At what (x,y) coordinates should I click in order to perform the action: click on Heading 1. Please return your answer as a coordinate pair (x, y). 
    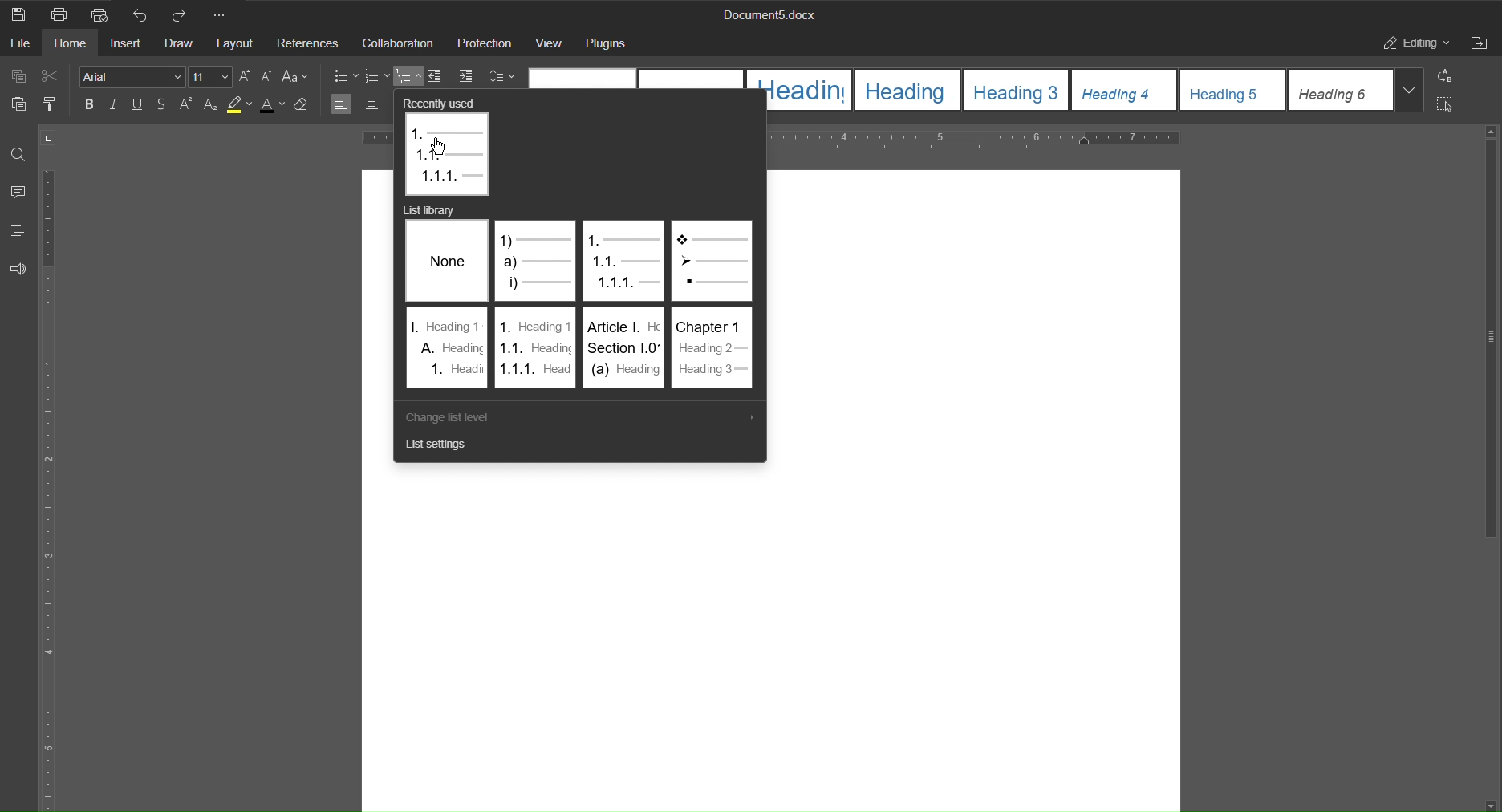
    Looking at the image, I should click on (800, 90).